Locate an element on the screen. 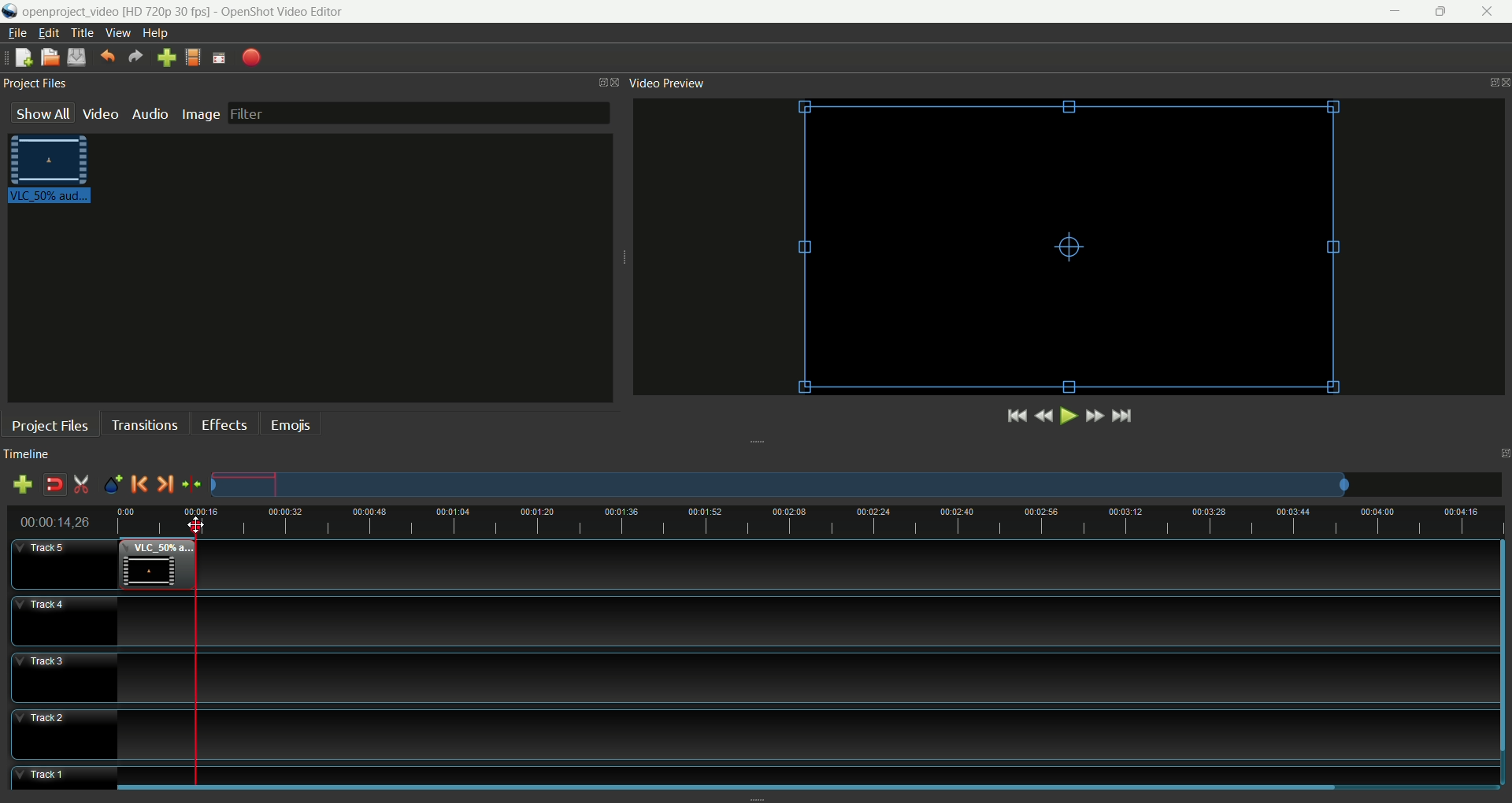  add track is located at coordinates (26, 485).